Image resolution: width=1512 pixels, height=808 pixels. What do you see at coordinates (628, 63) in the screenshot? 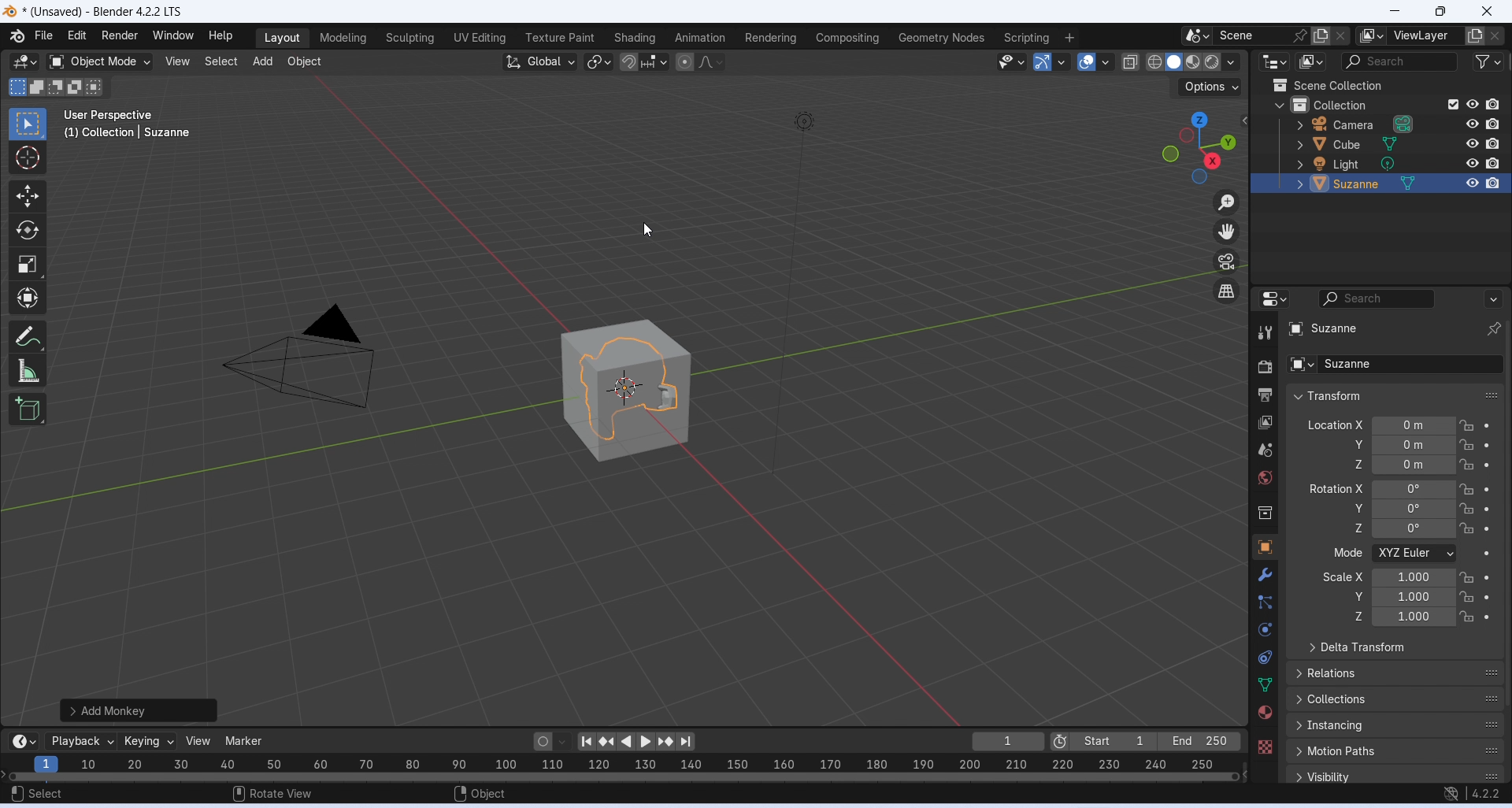
I see `snap` at bounding box center [628, 63].